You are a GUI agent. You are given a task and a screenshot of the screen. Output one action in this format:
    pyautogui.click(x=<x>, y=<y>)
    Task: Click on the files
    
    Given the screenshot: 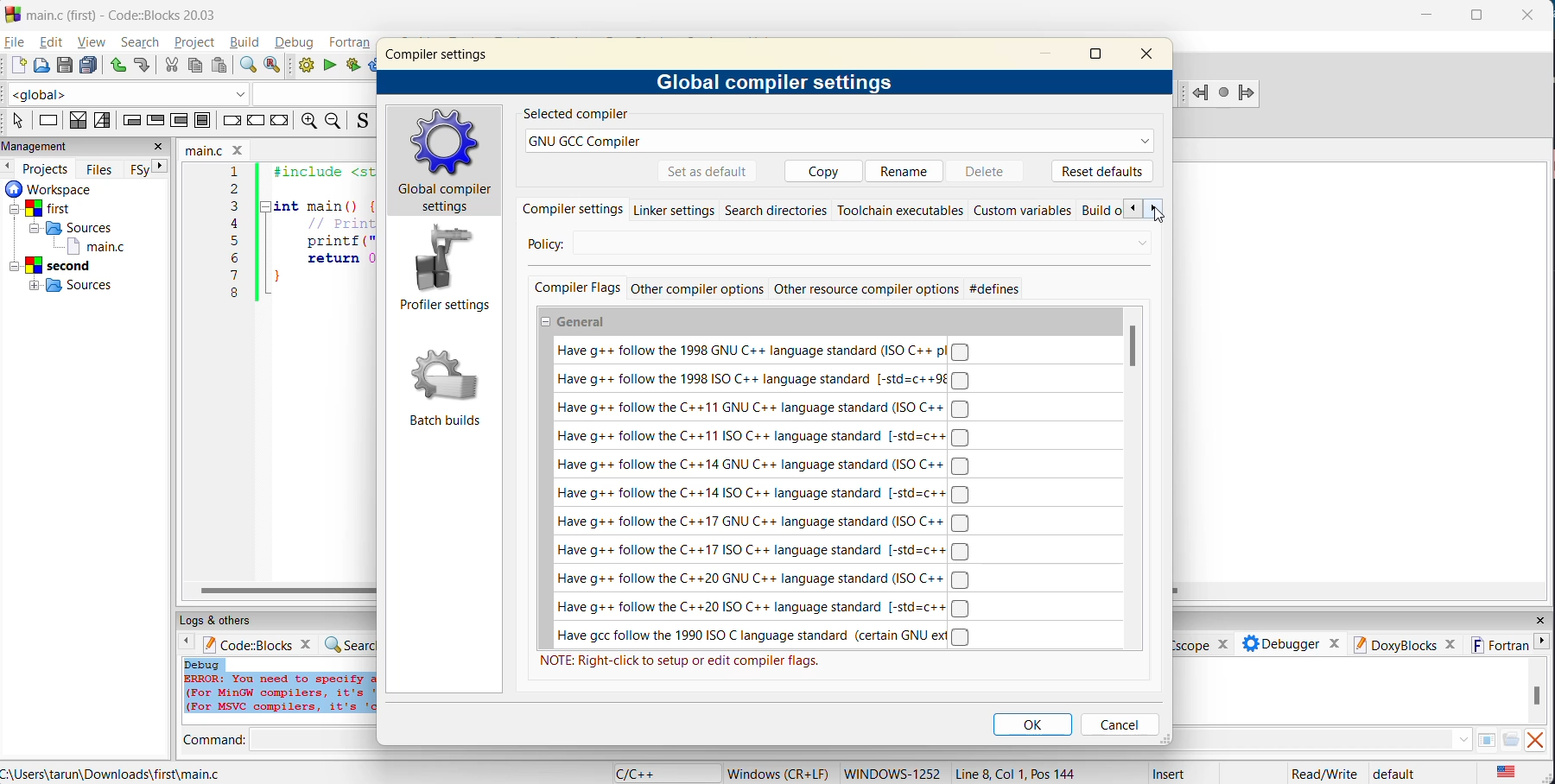 What is the action you would take?
    pyautogui.click(x=103, y=168)
    